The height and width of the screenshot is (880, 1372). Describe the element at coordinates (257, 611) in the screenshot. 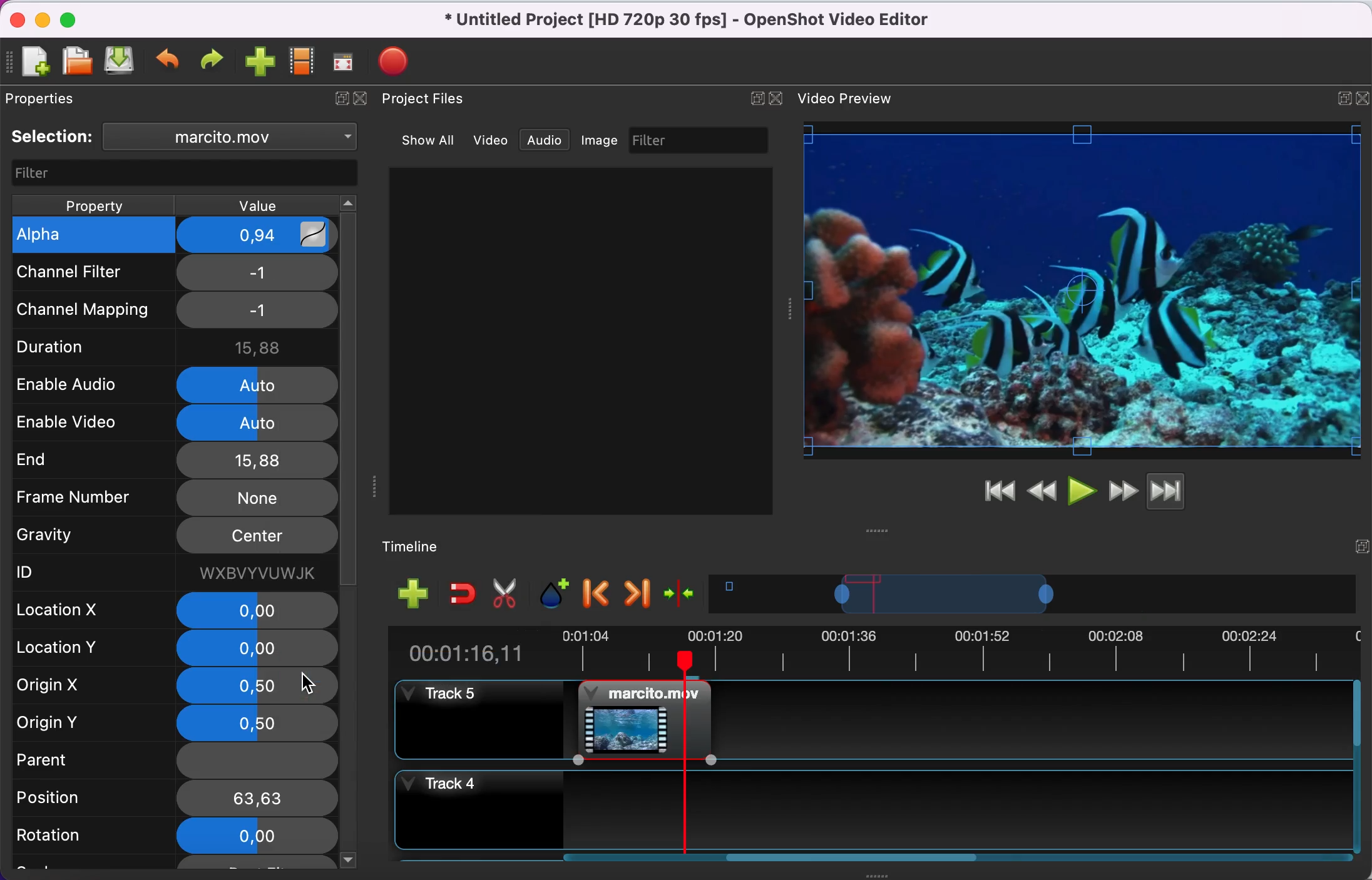

I see `0,00` at that location.